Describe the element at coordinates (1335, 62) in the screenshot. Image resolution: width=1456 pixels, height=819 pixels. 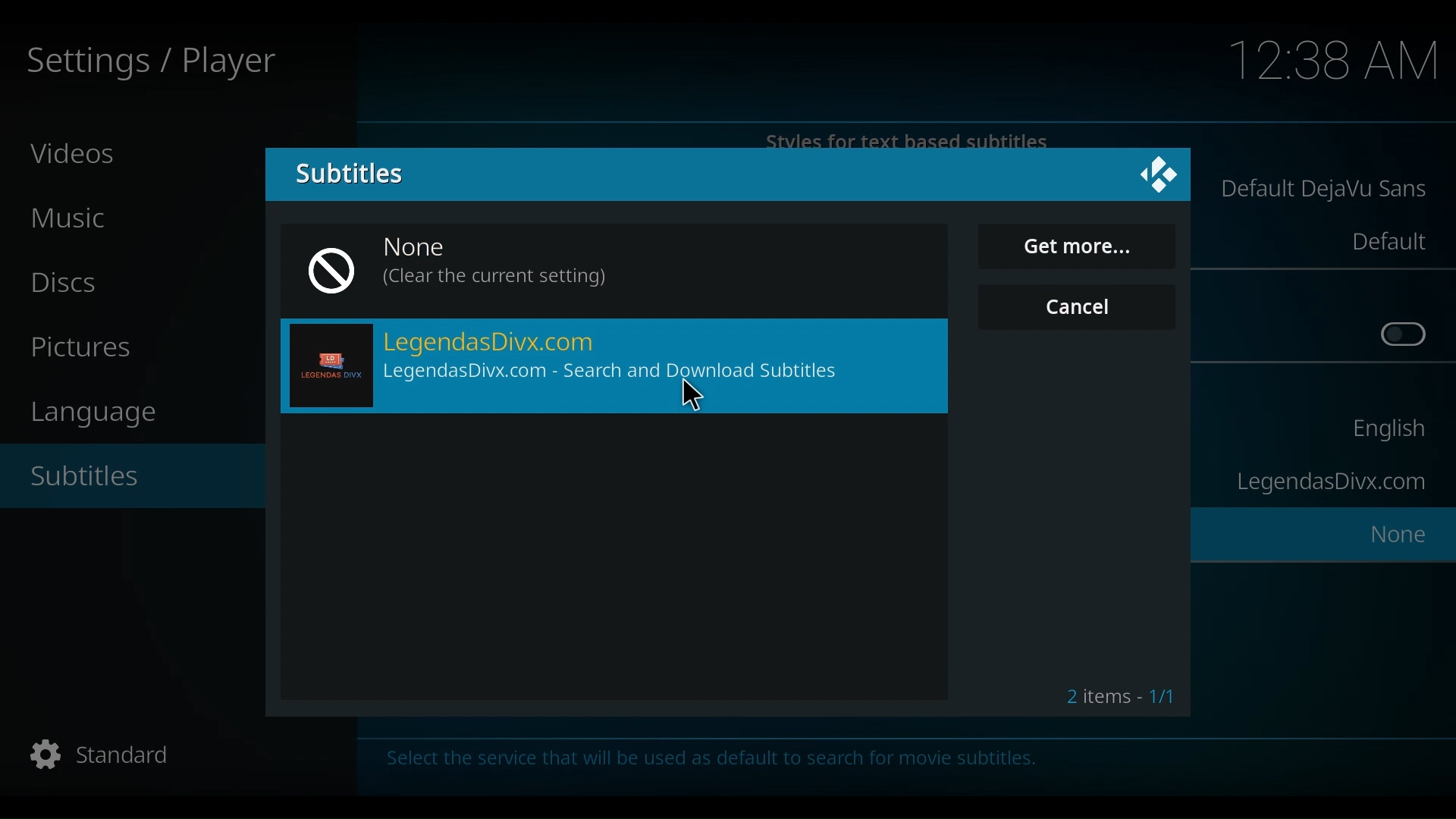
I see `time` at that location.